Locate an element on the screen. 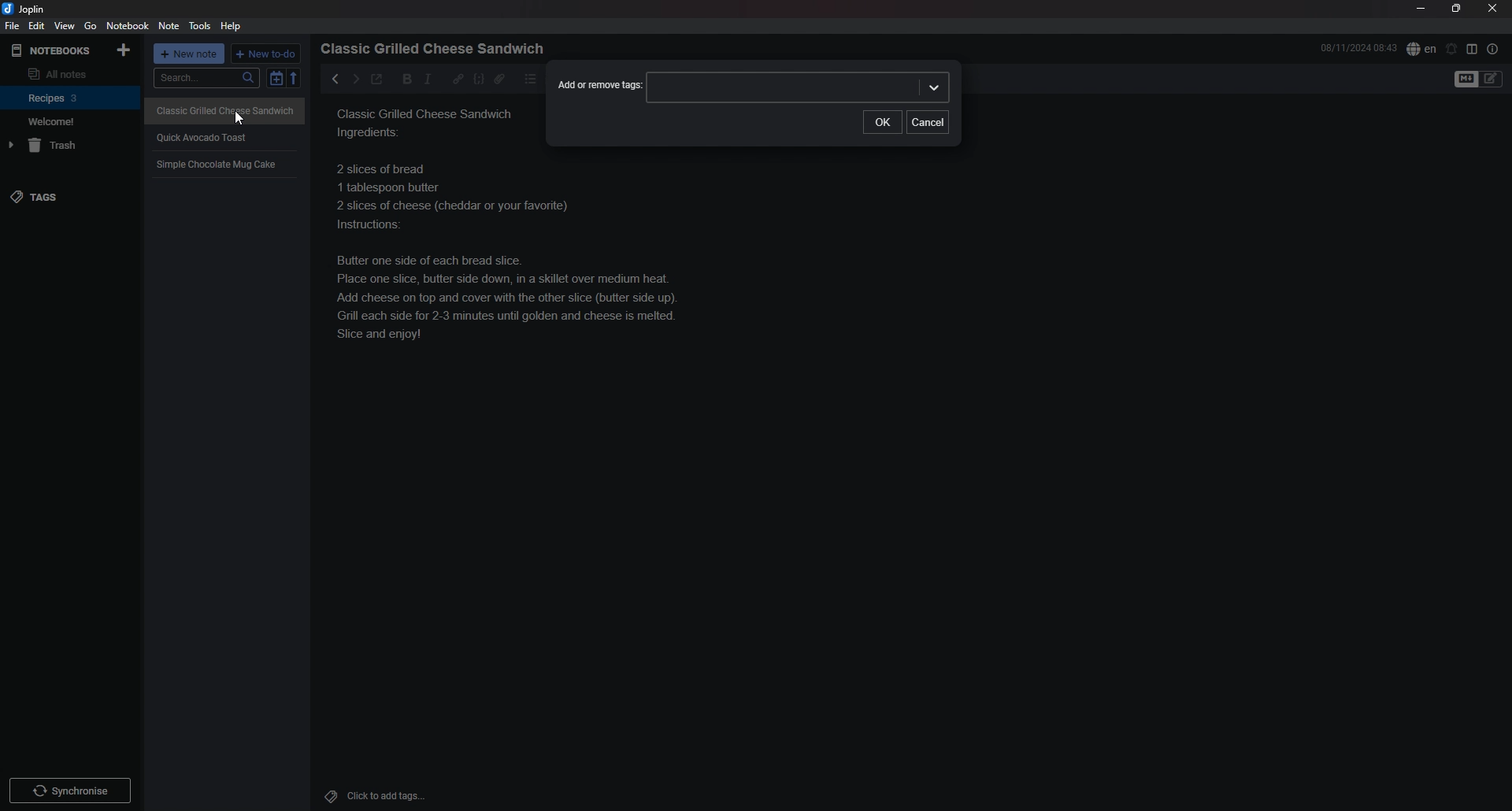  spell check is located at coordinates (1421, 48).